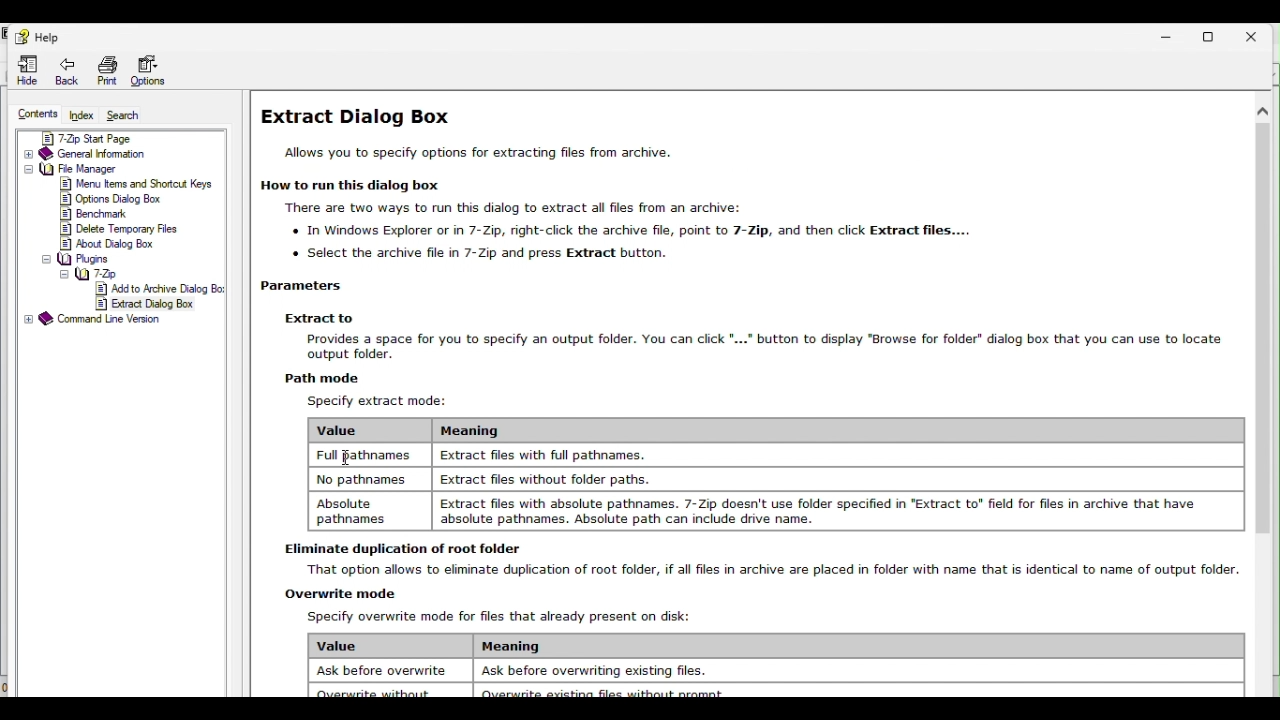  What do you see at coordinates (753, 347) in the screenshot?
I see `provide` at bounding box center [753, 347].